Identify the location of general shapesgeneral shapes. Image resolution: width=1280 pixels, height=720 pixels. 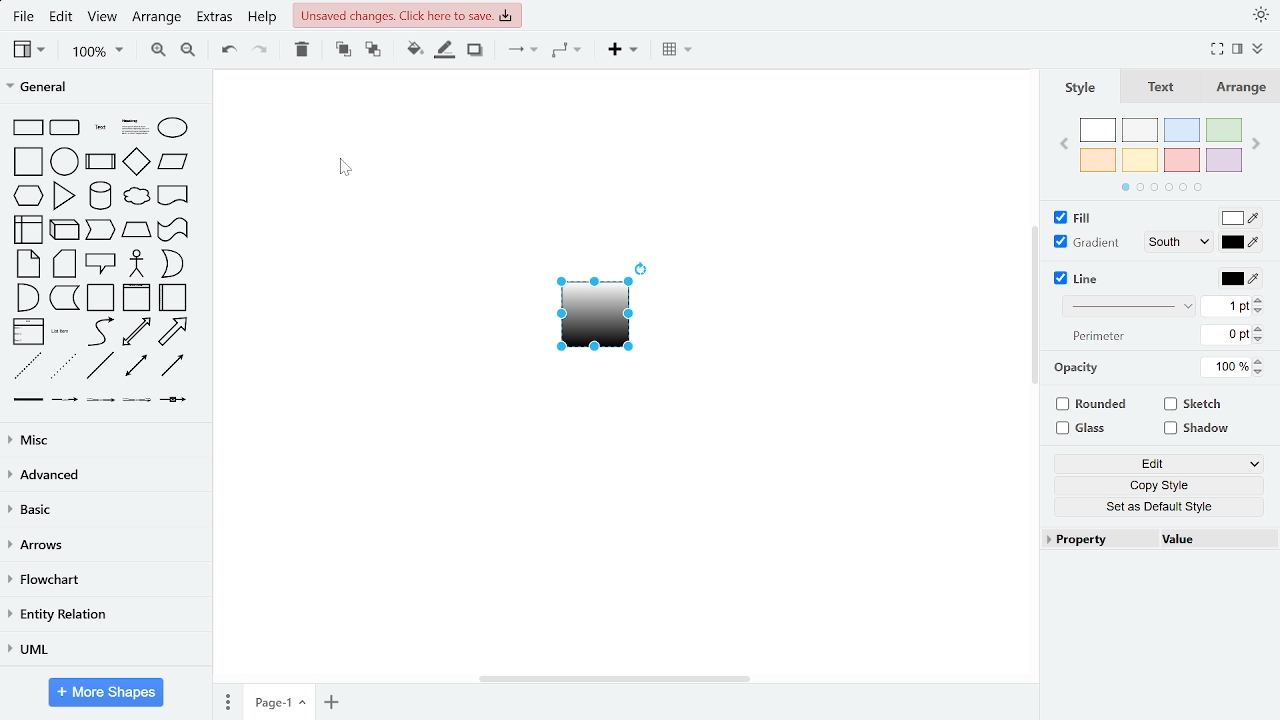
(97, 127).